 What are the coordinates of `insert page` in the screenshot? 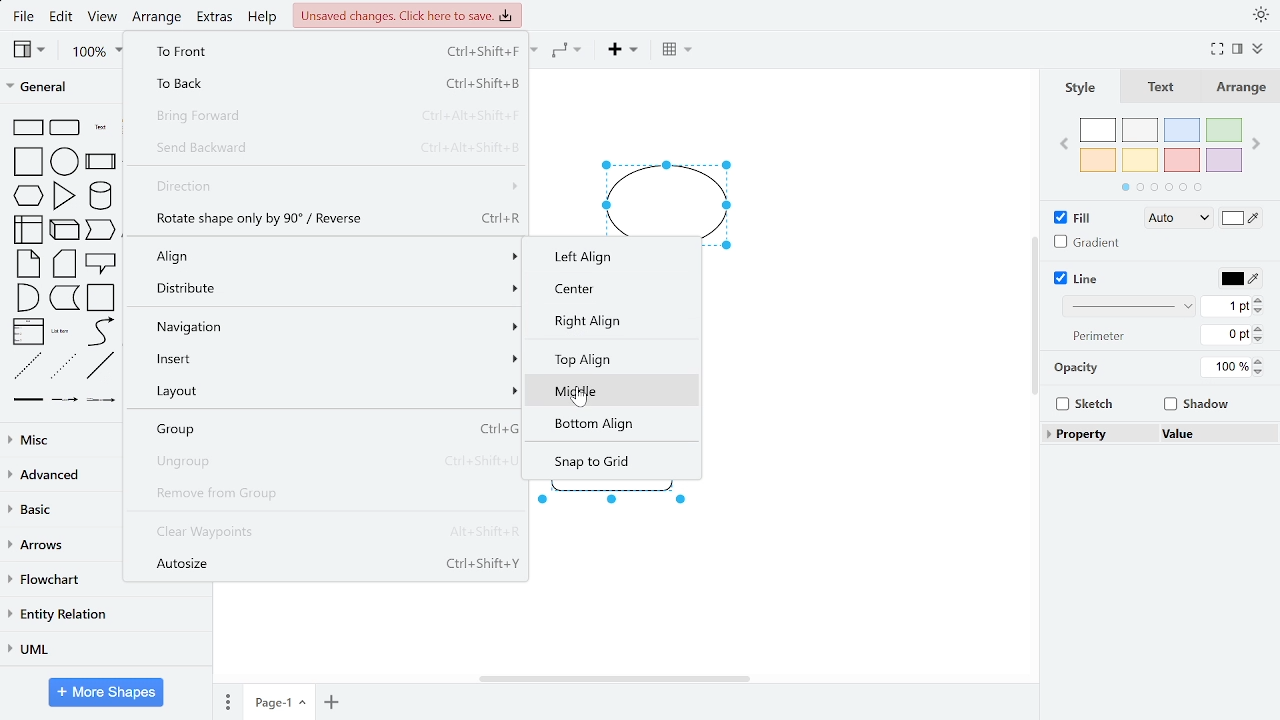 It's located at (331, 701).